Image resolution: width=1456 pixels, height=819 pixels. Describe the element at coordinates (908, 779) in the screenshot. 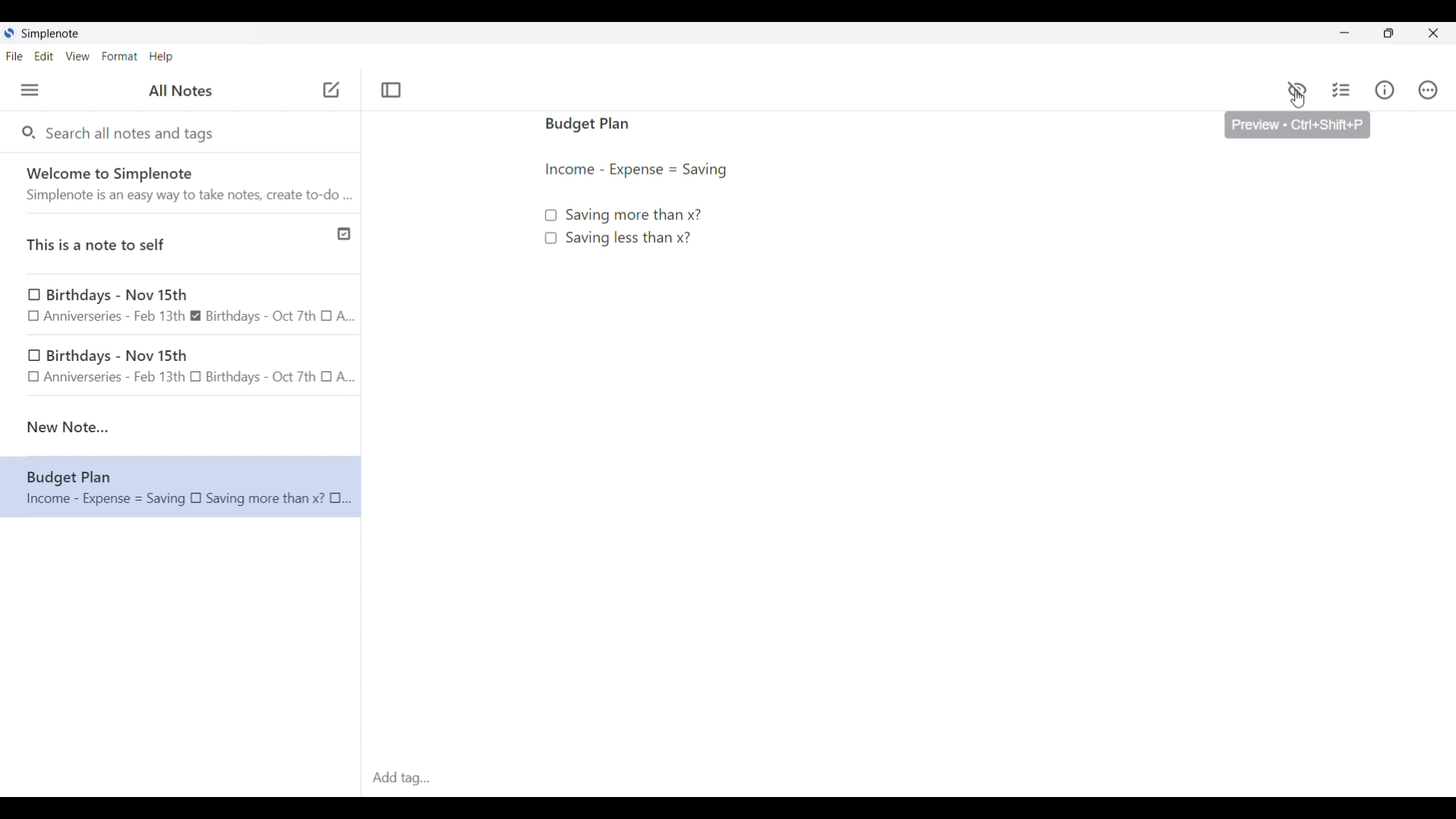

I see `Click to type in tags` at that location.